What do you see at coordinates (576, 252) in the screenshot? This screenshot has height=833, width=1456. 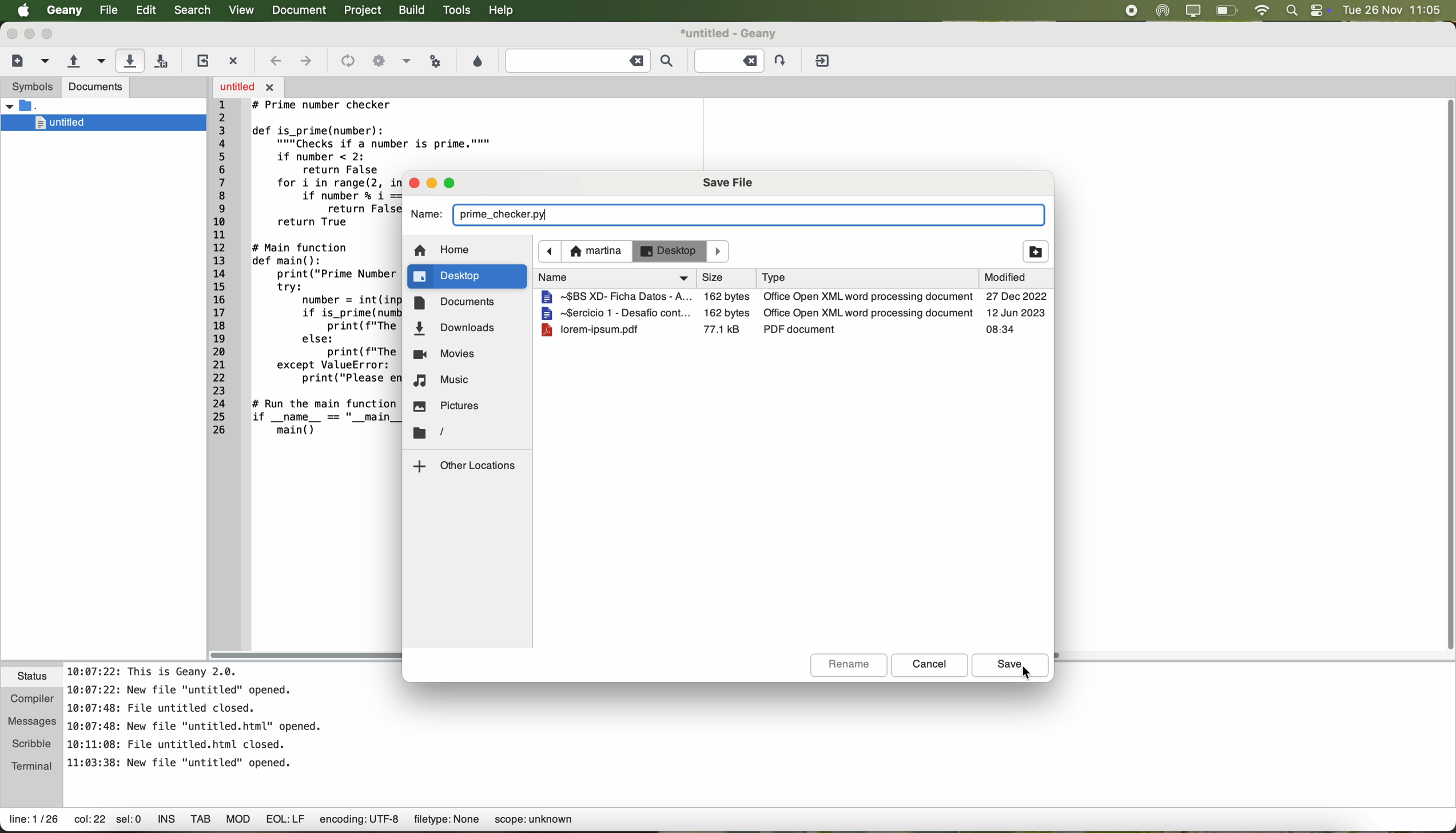 I see `icon` at bounding box center [576, 252].